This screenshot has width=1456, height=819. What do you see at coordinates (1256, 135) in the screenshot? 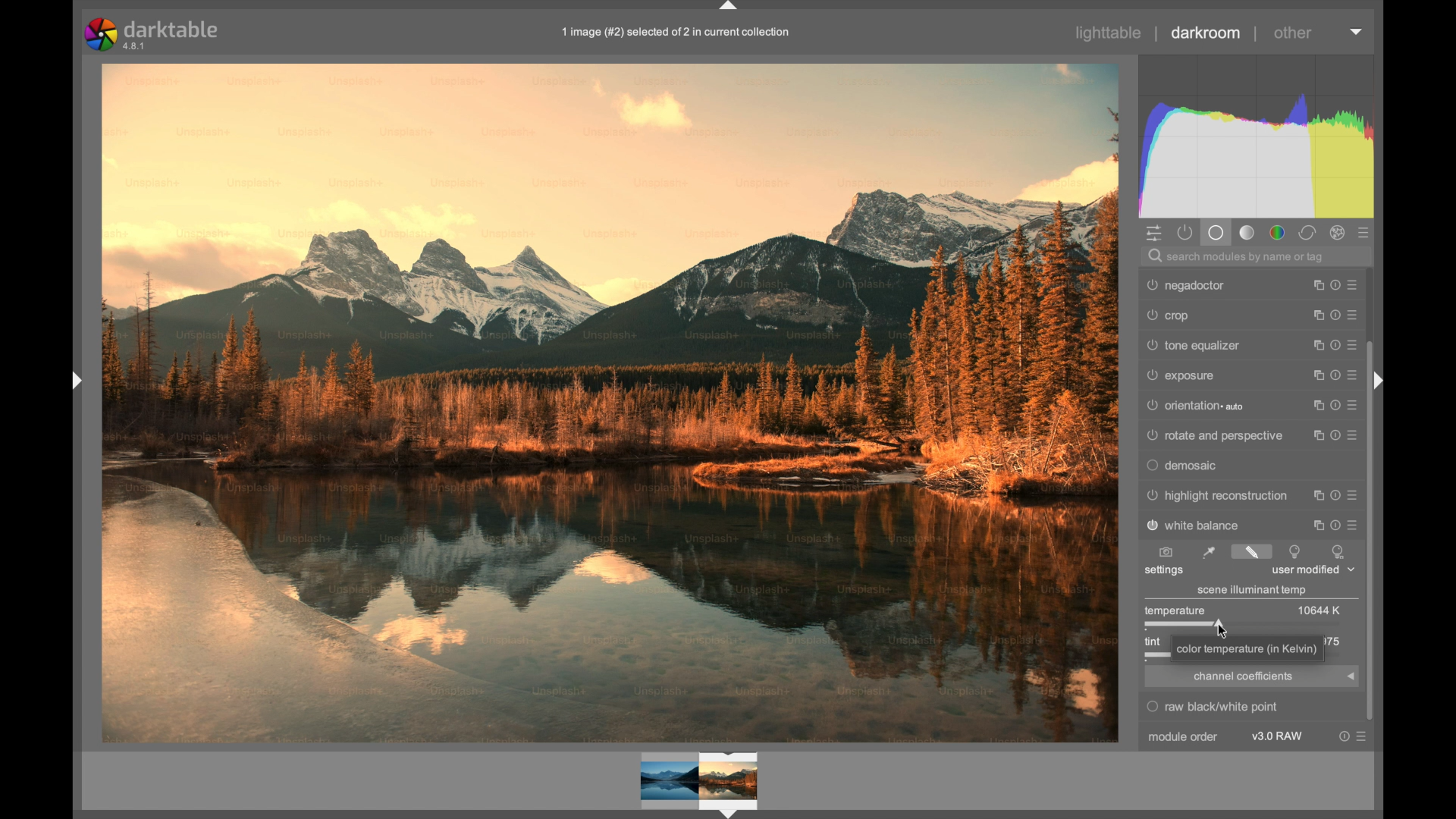
I see `histogram` at bounding box center [1256, 135].